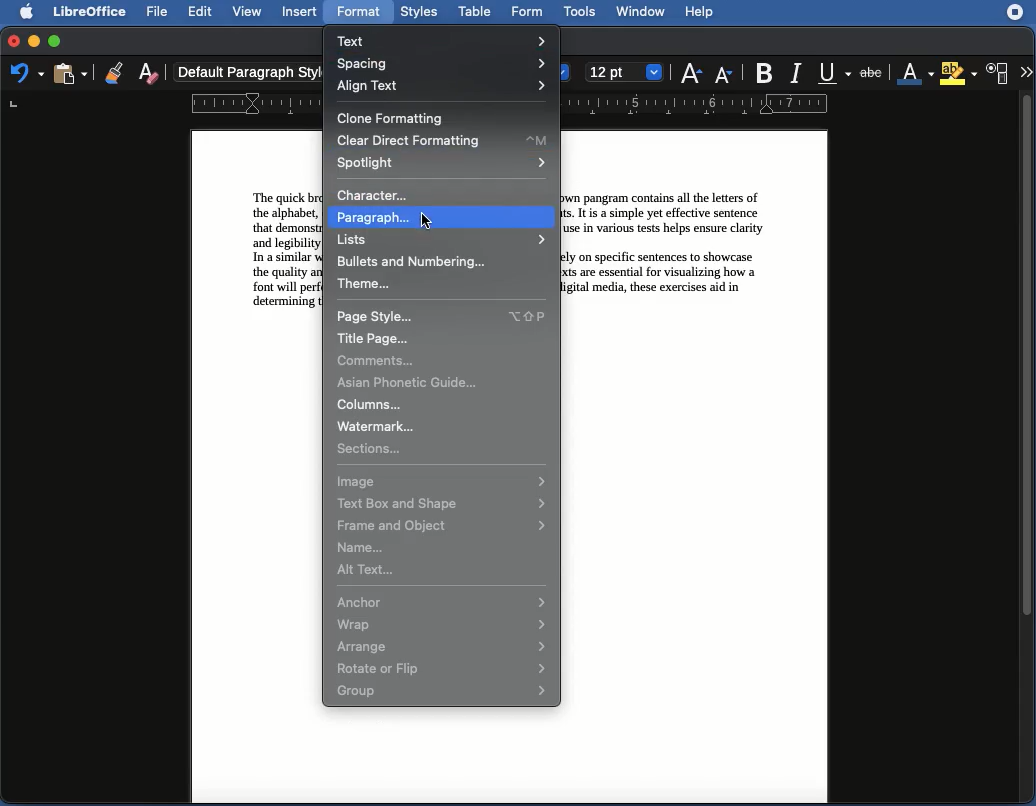 Image resolution: width=1036 pixels, height=806 pixels. I want to click on Highlighting, so click(960, 73).